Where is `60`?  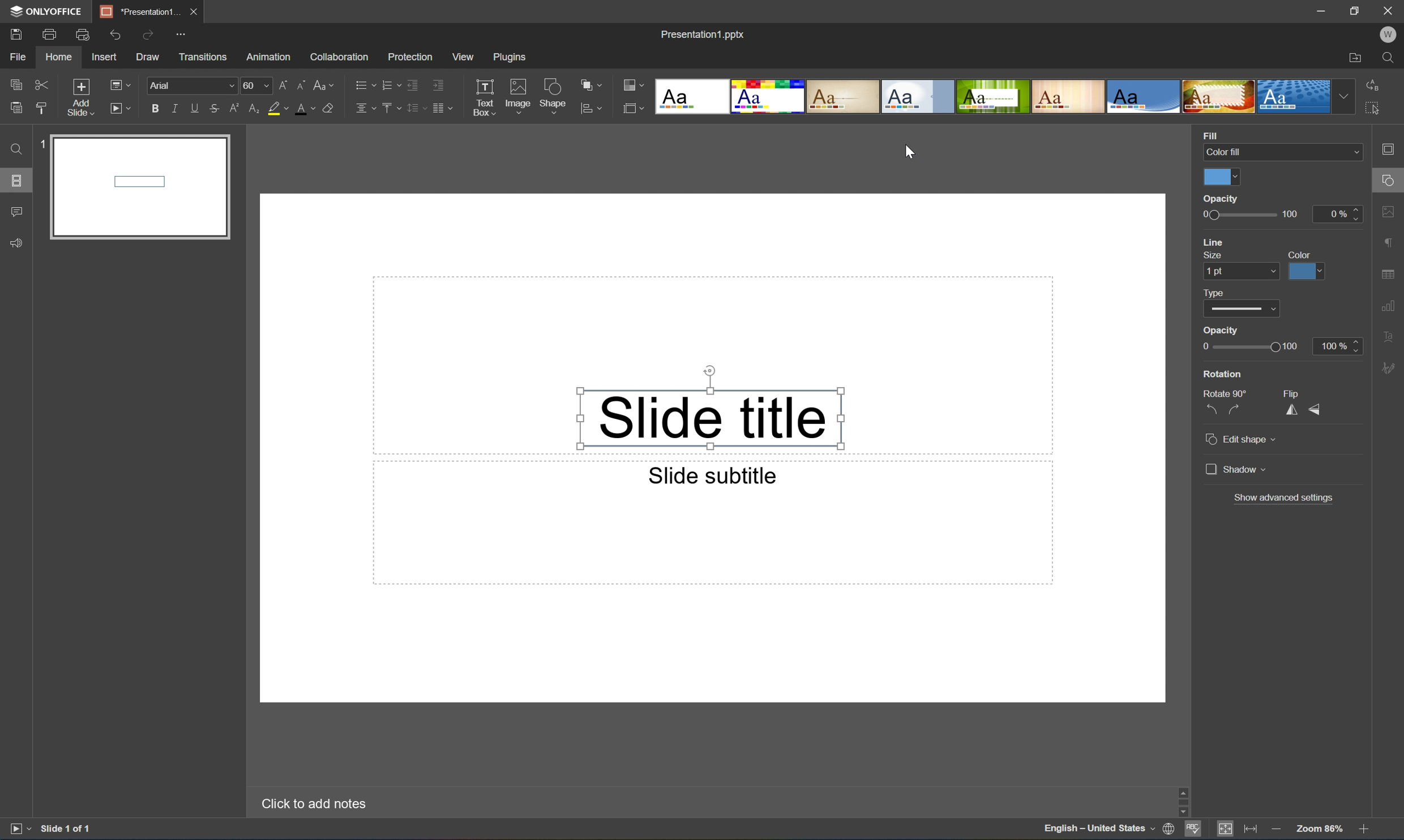
60 is located at coordinates (255, 85).